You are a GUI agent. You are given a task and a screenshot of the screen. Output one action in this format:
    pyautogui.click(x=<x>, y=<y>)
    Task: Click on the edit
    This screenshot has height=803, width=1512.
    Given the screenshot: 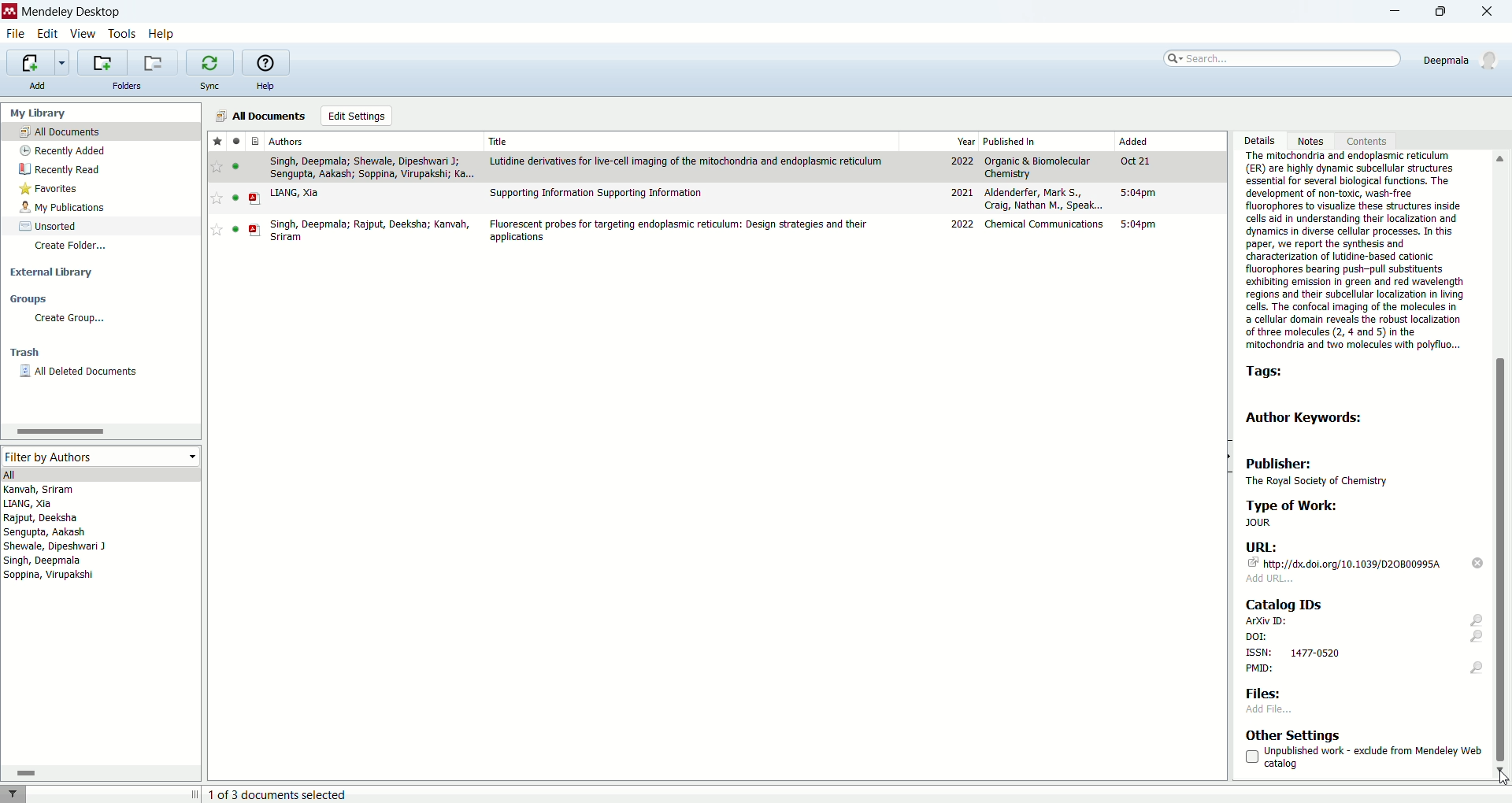 What is the action you would take?
    pyautogui.click(x=46, y=35)
    